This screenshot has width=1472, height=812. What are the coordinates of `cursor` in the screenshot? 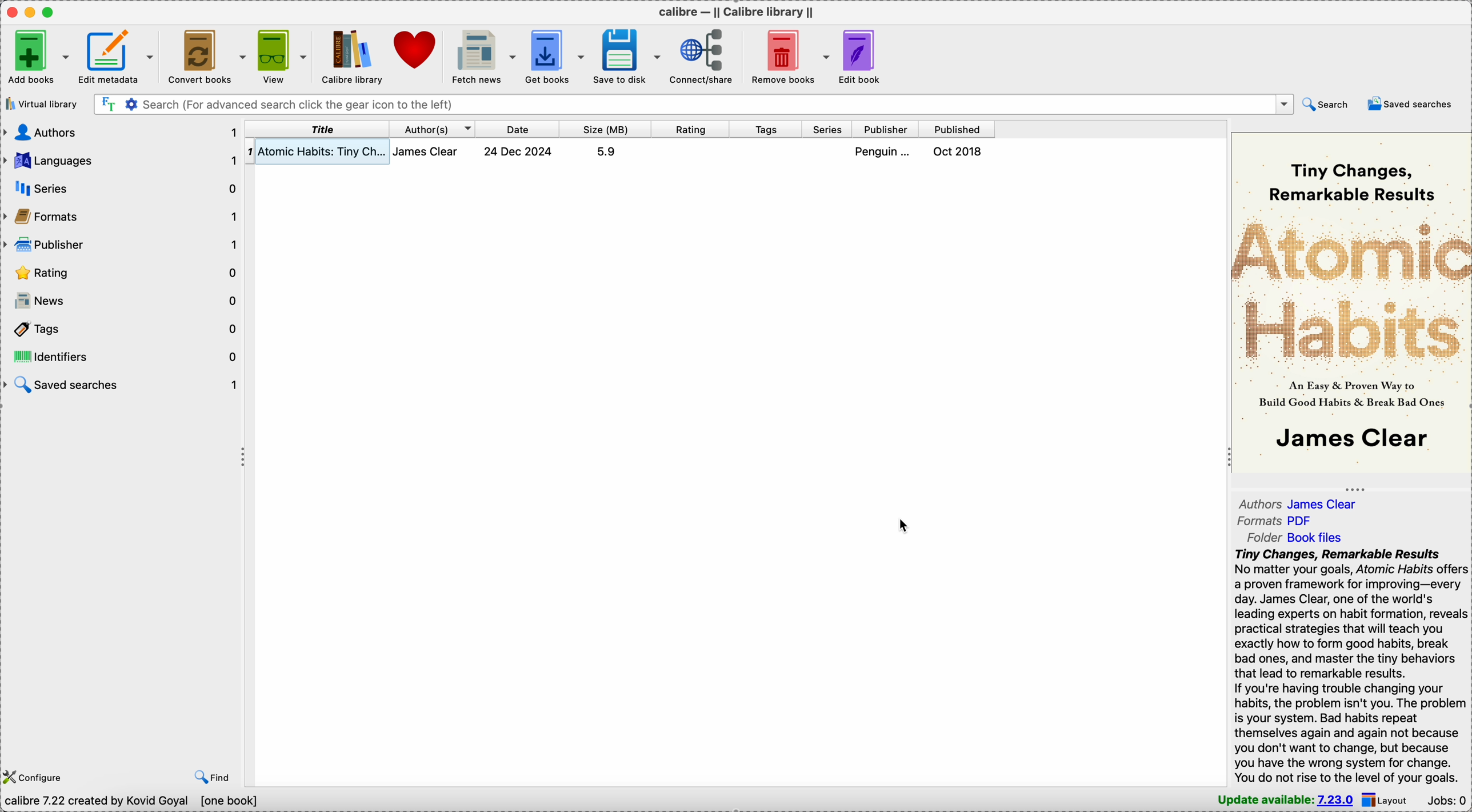 It's located at (1381, 108).